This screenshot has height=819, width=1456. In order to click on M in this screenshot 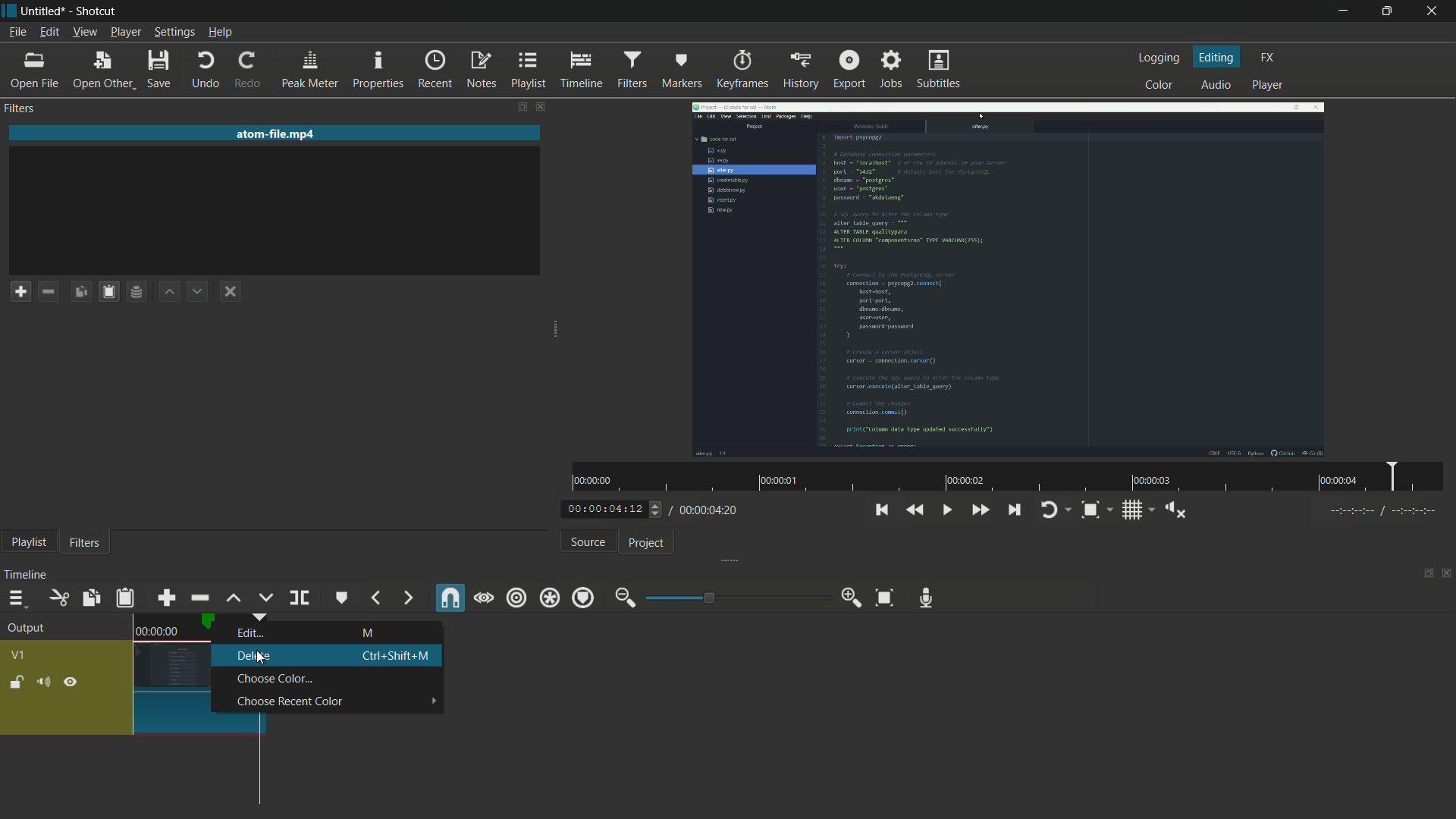, I will do `click(375, 632)`.